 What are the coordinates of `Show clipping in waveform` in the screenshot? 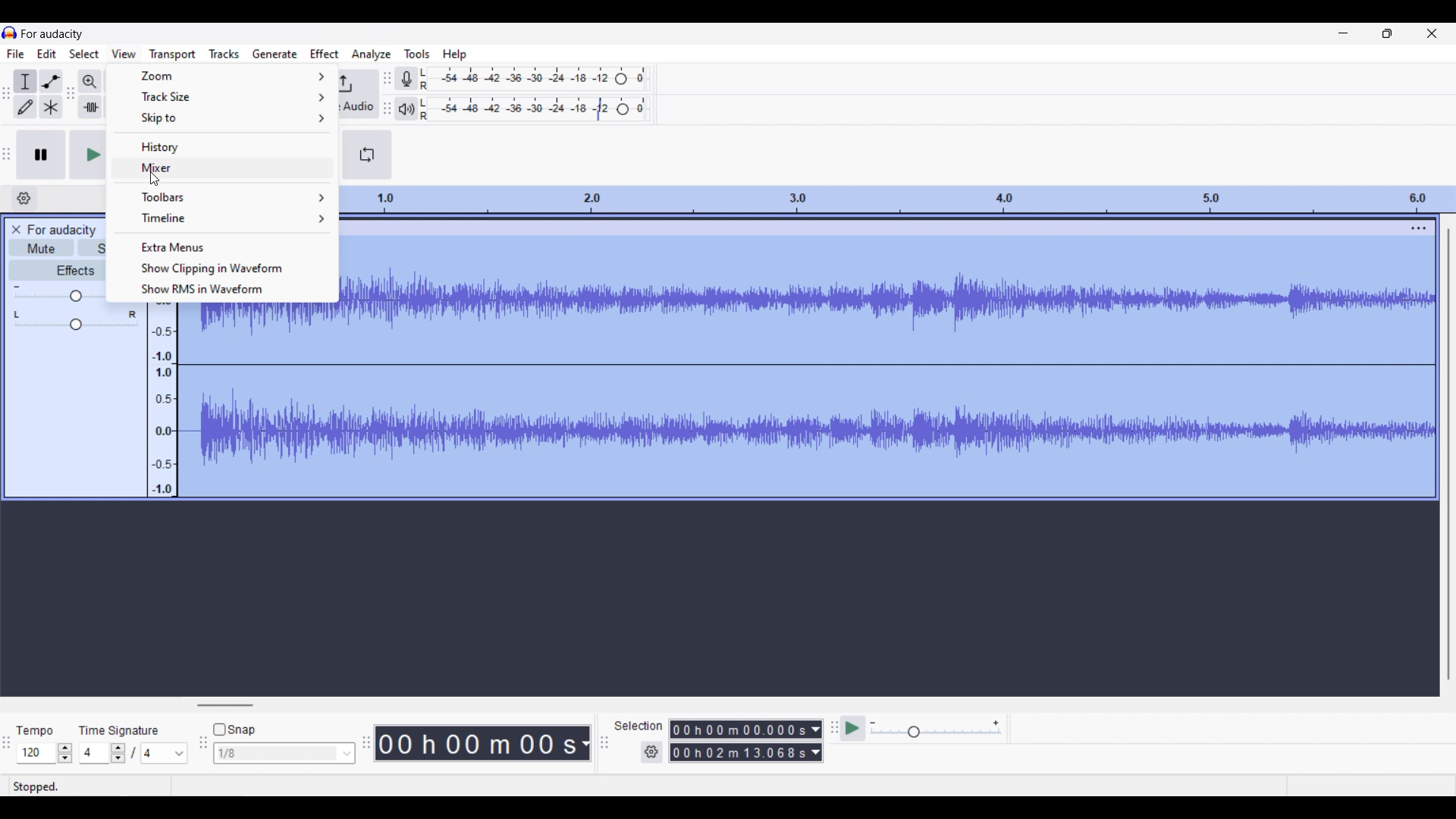 It's located at (219, 268).